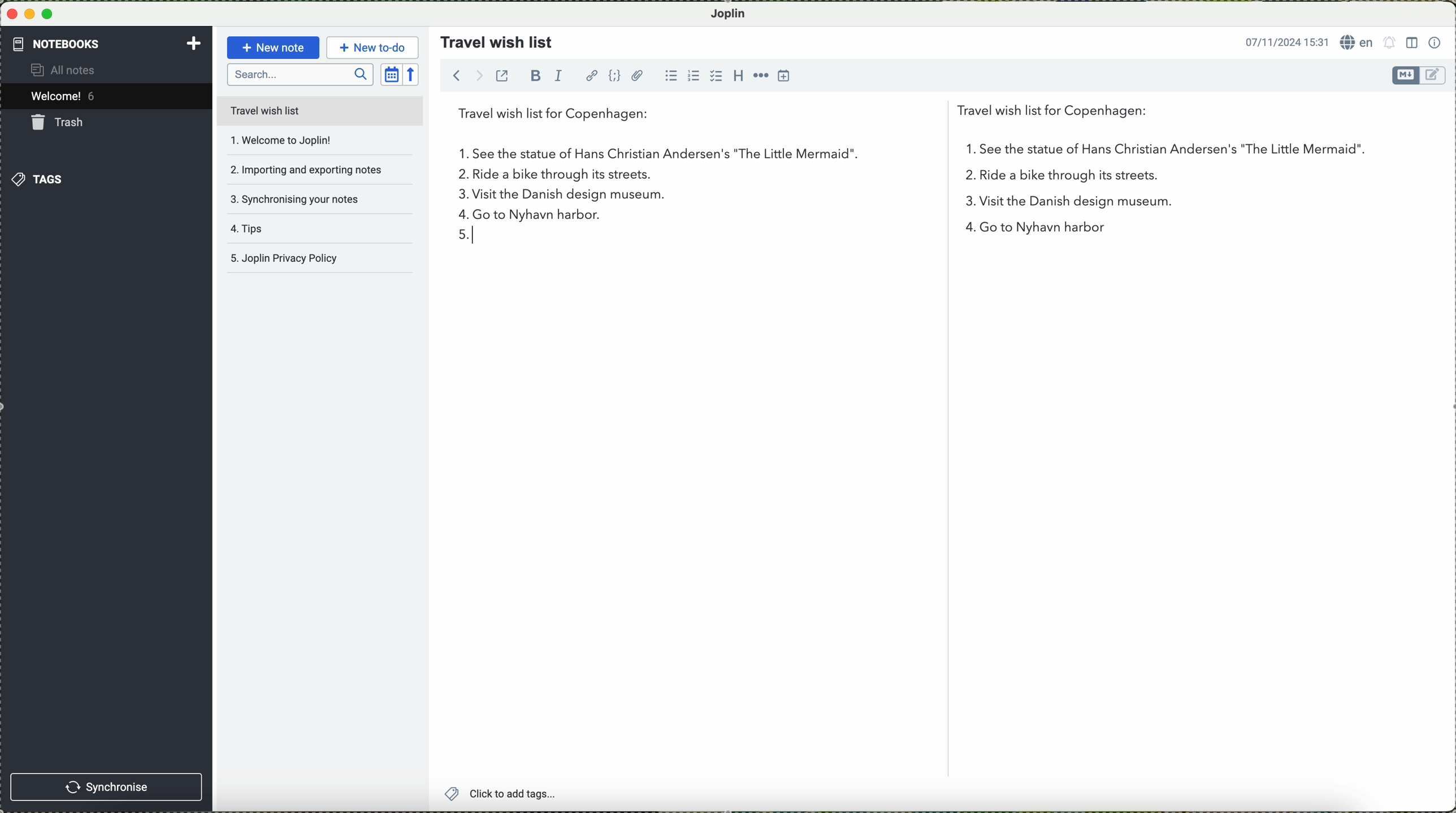 This screenshot has width=1456, height=813. What do you see at coordinates (492, 38) in the screenshot?
I see `travel wish list` at bounding box center [492, 38].